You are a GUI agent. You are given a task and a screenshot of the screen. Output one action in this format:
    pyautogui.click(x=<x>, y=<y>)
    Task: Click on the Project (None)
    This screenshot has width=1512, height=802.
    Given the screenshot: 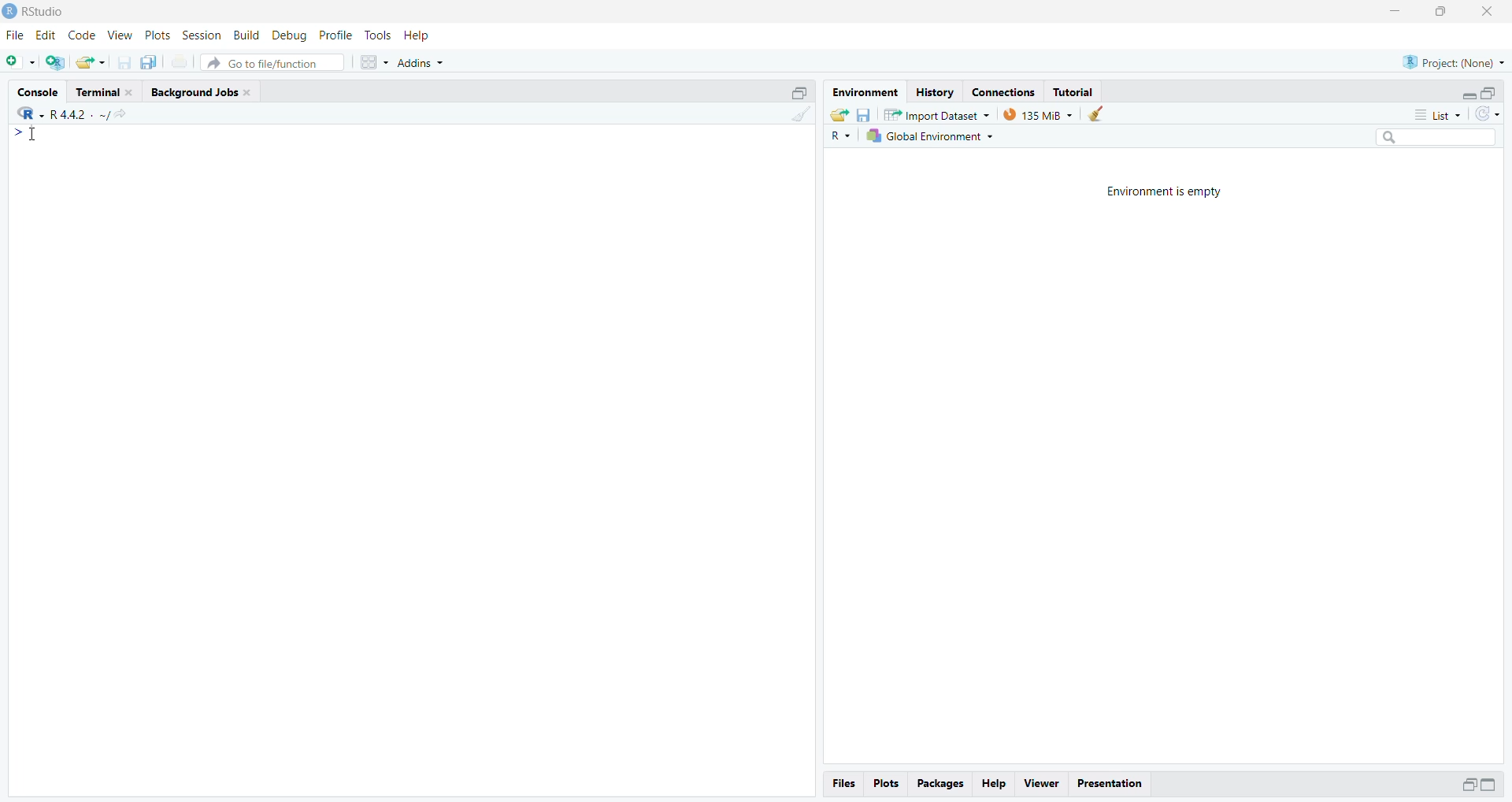 What is the action you would take?
    pyautogui.click(x=1455, y=61)
    